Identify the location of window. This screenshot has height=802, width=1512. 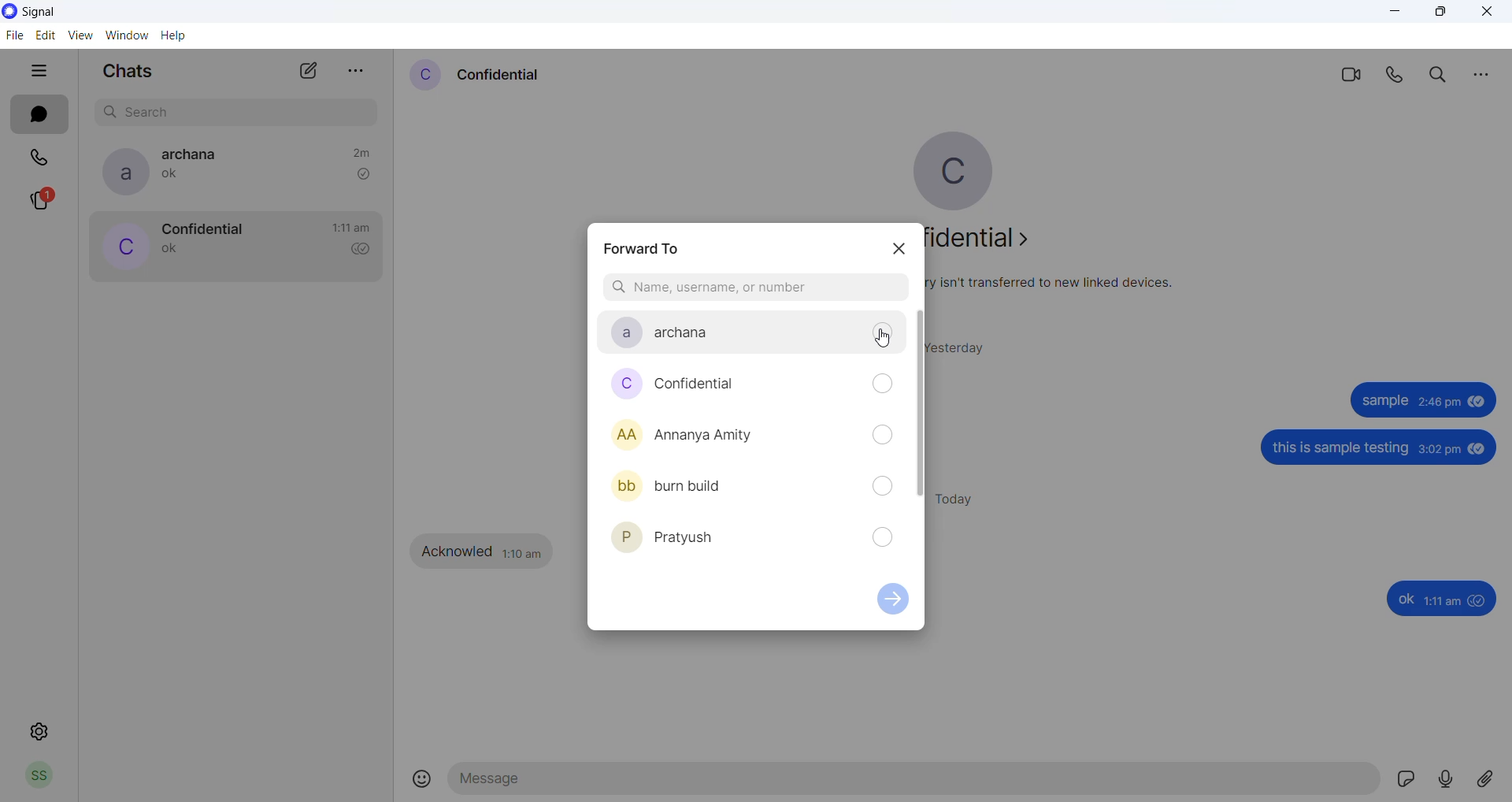
(130, 35).